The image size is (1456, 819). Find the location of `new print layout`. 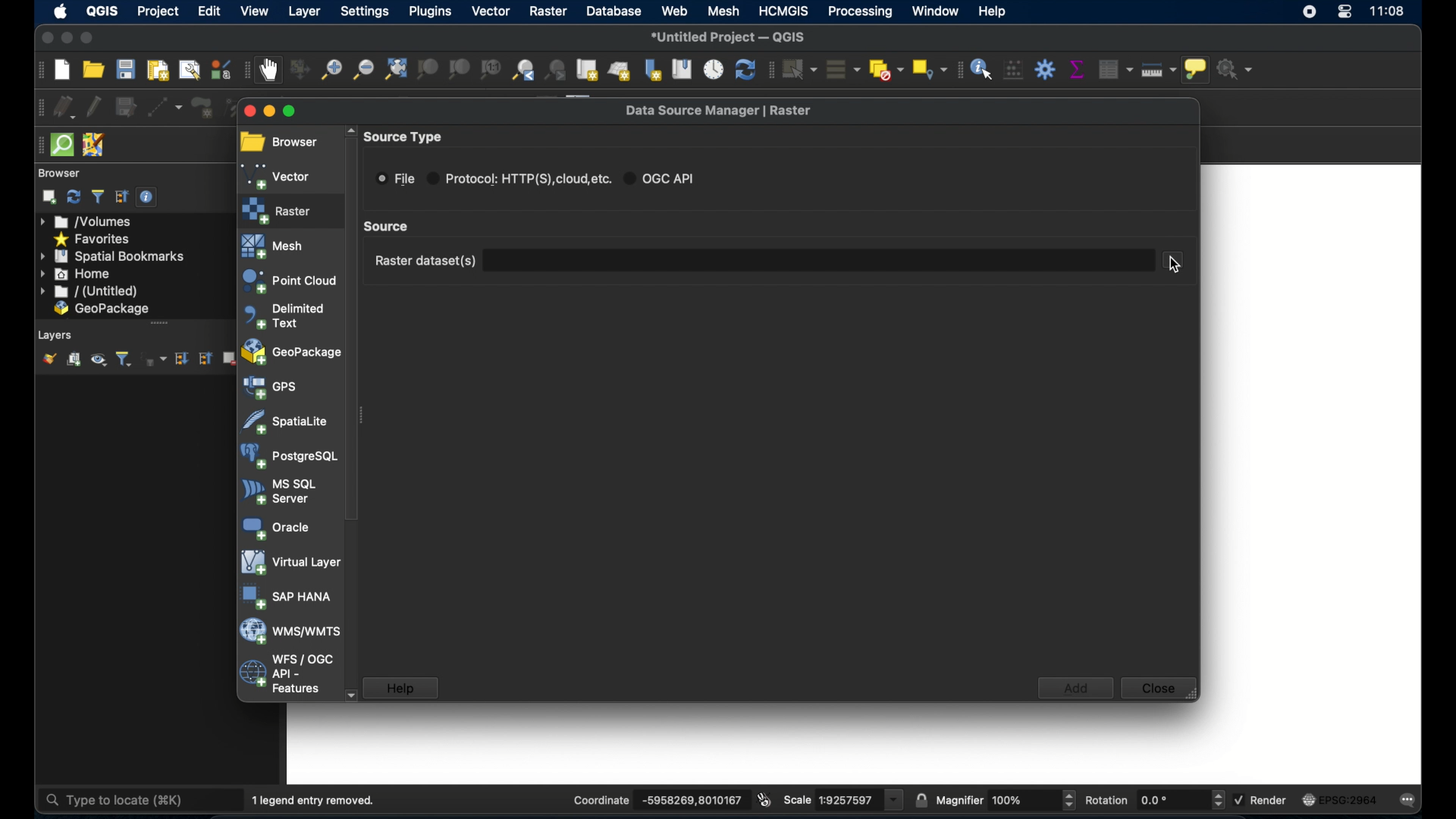

new print layout is located at coordinates (158, 70).